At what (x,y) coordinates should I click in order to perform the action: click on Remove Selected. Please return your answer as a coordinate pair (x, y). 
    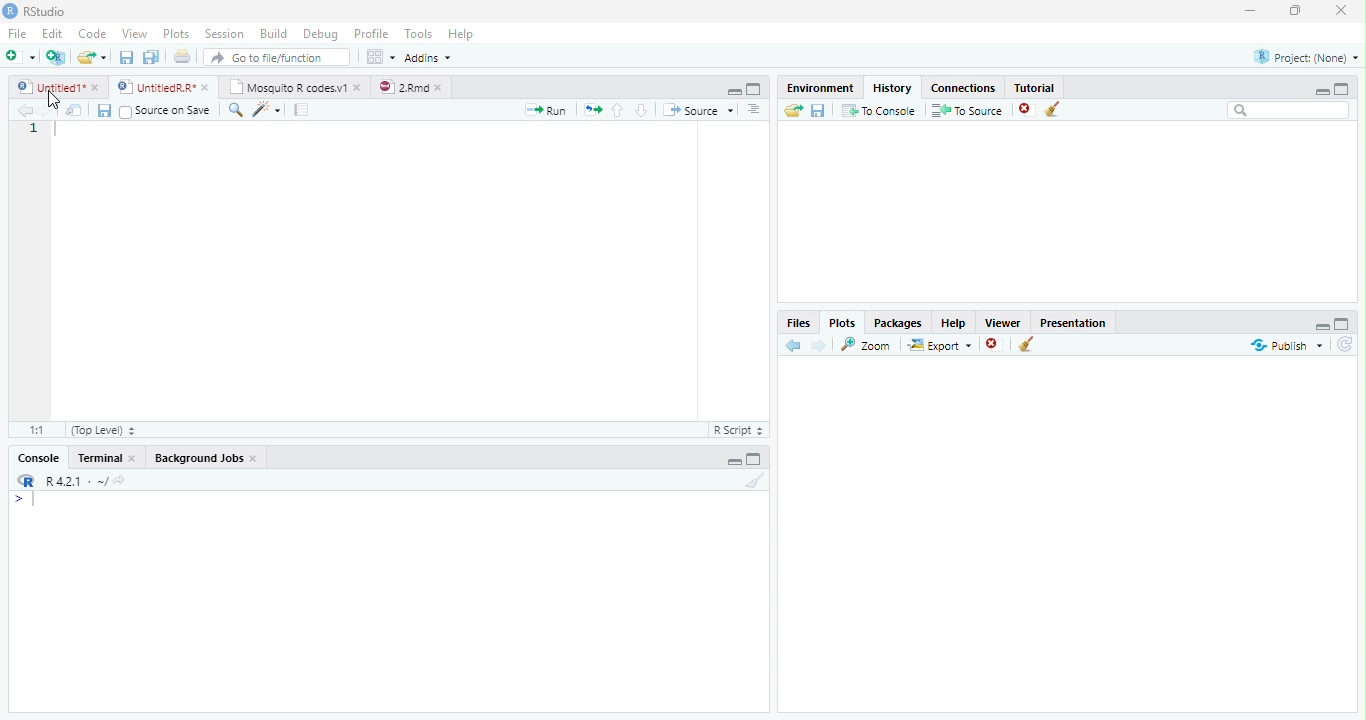
    Looking at the image, I should click on (995, 346).